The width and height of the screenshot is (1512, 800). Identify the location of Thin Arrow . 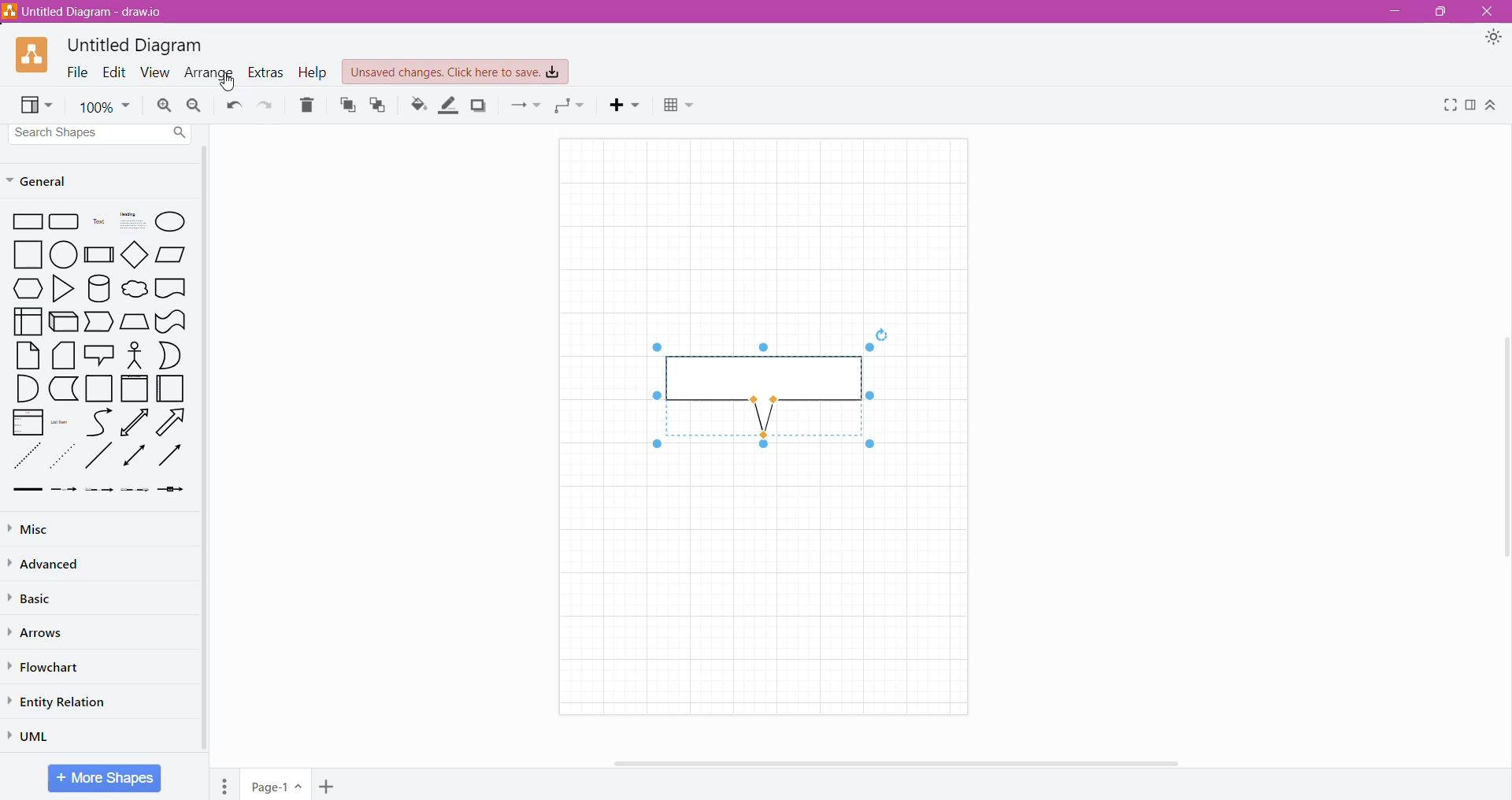
(100, 491).